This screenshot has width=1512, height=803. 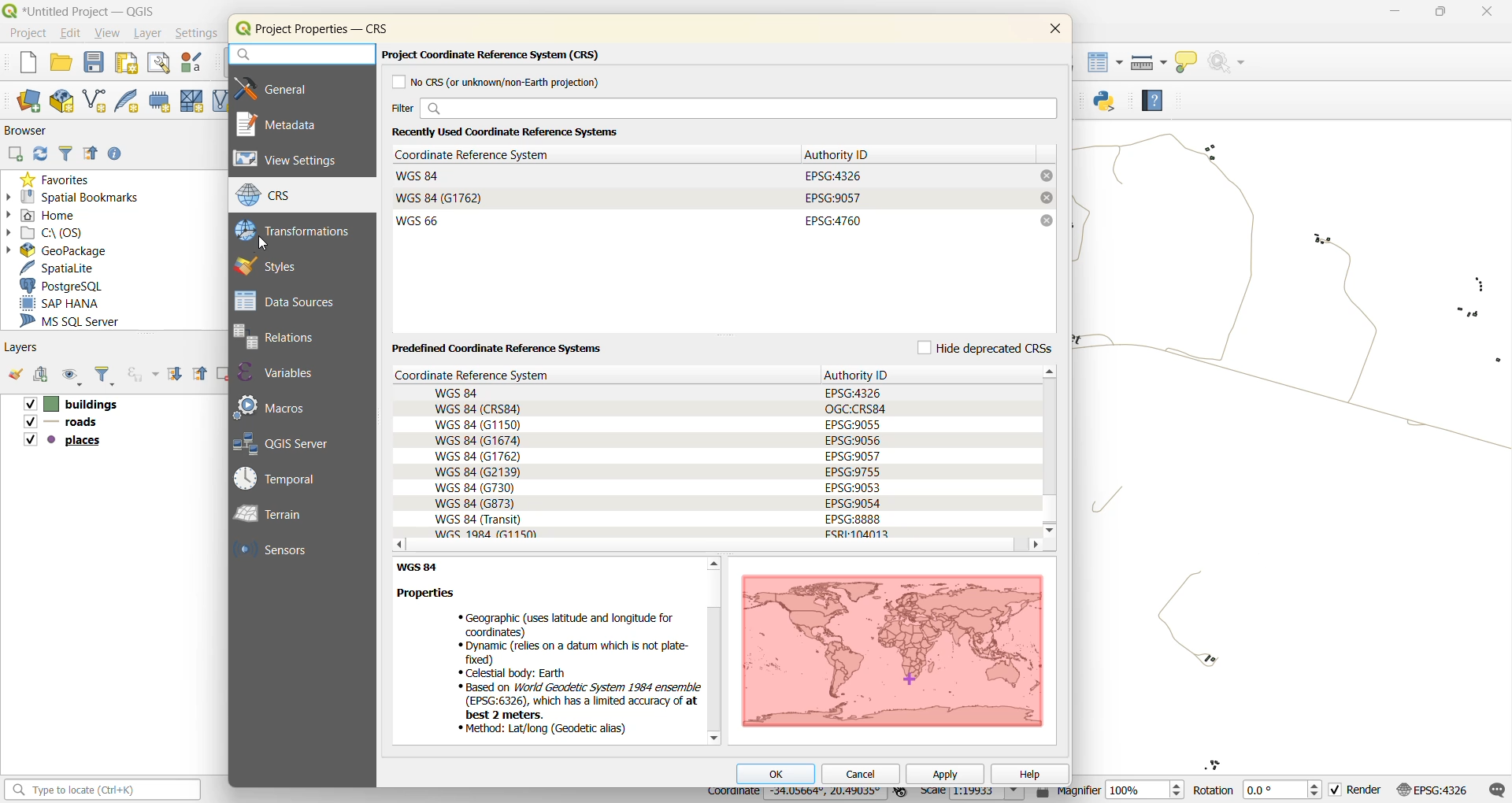 What do you see at coordinates (483, 154) in the screenshot?
I see `coordinate reference system` at bounding box center [483, 154].